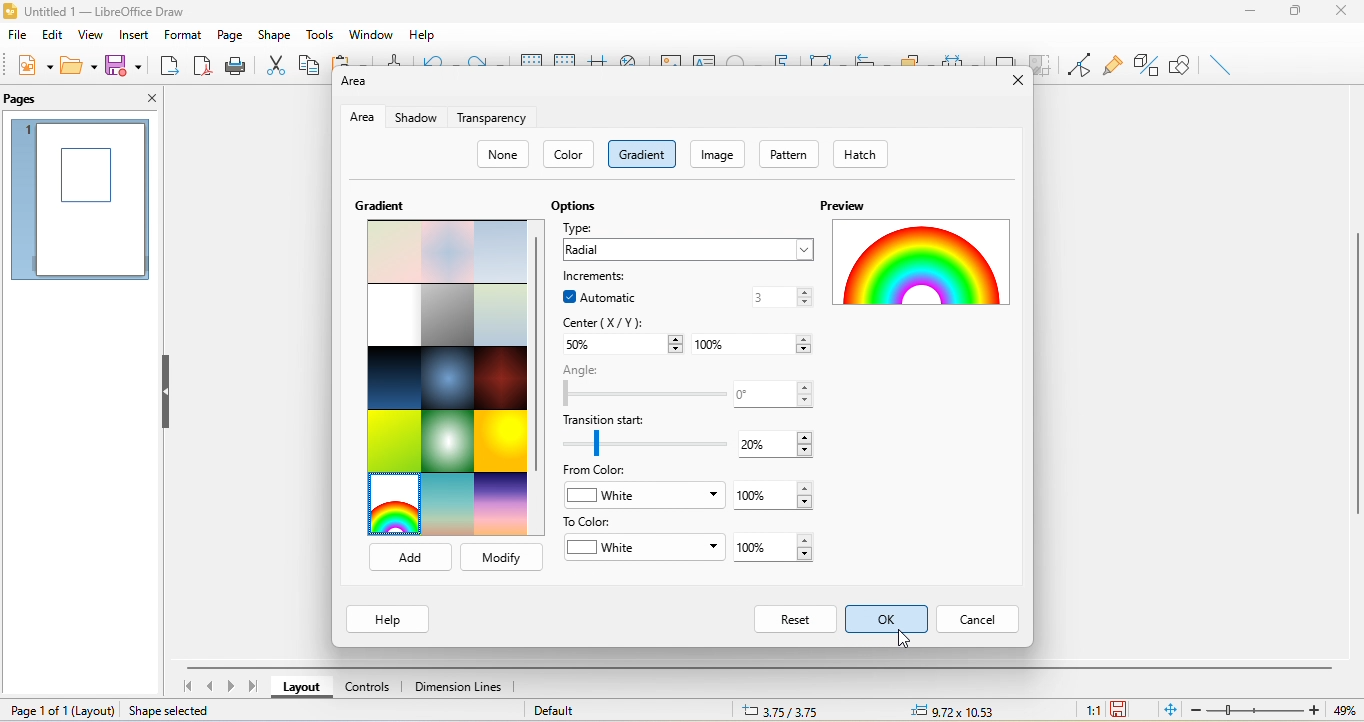 The image size is (1364, 722). What do you see at coordinates (502, 444) in the screenshot?
I see `sunshine` at bounding box center [502, 444].